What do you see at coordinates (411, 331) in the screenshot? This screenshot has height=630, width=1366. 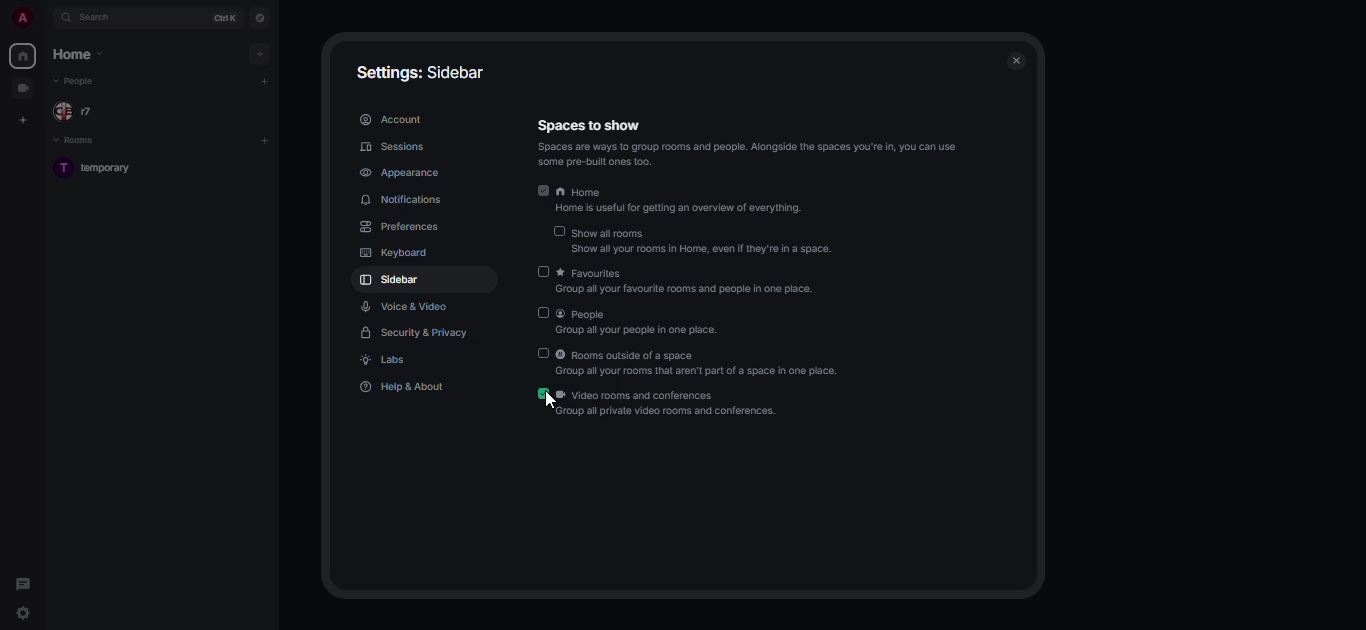 I see `security & privacy` at bounding box center [411, 331].